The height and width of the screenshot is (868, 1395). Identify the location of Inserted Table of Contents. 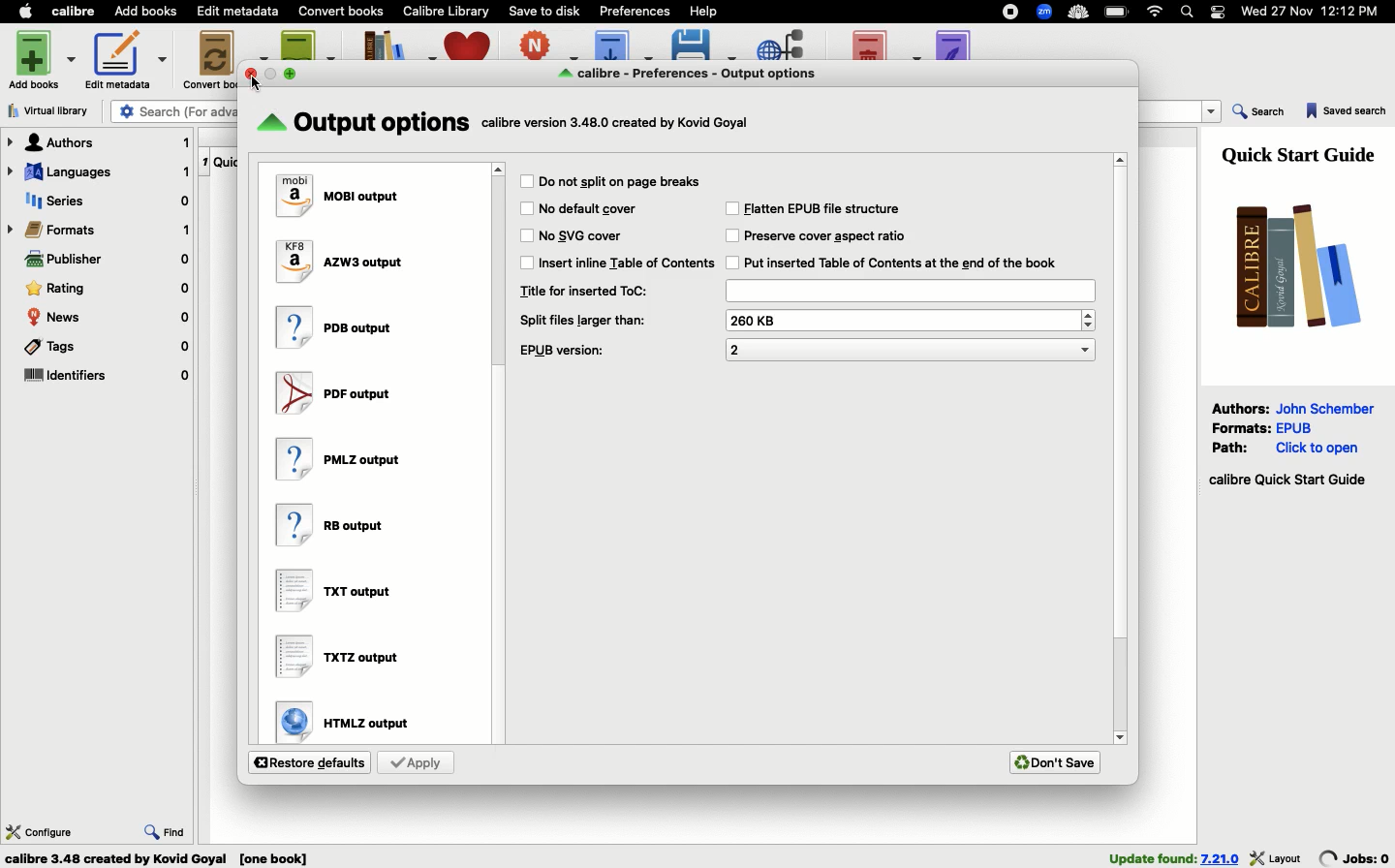
(903, 263).